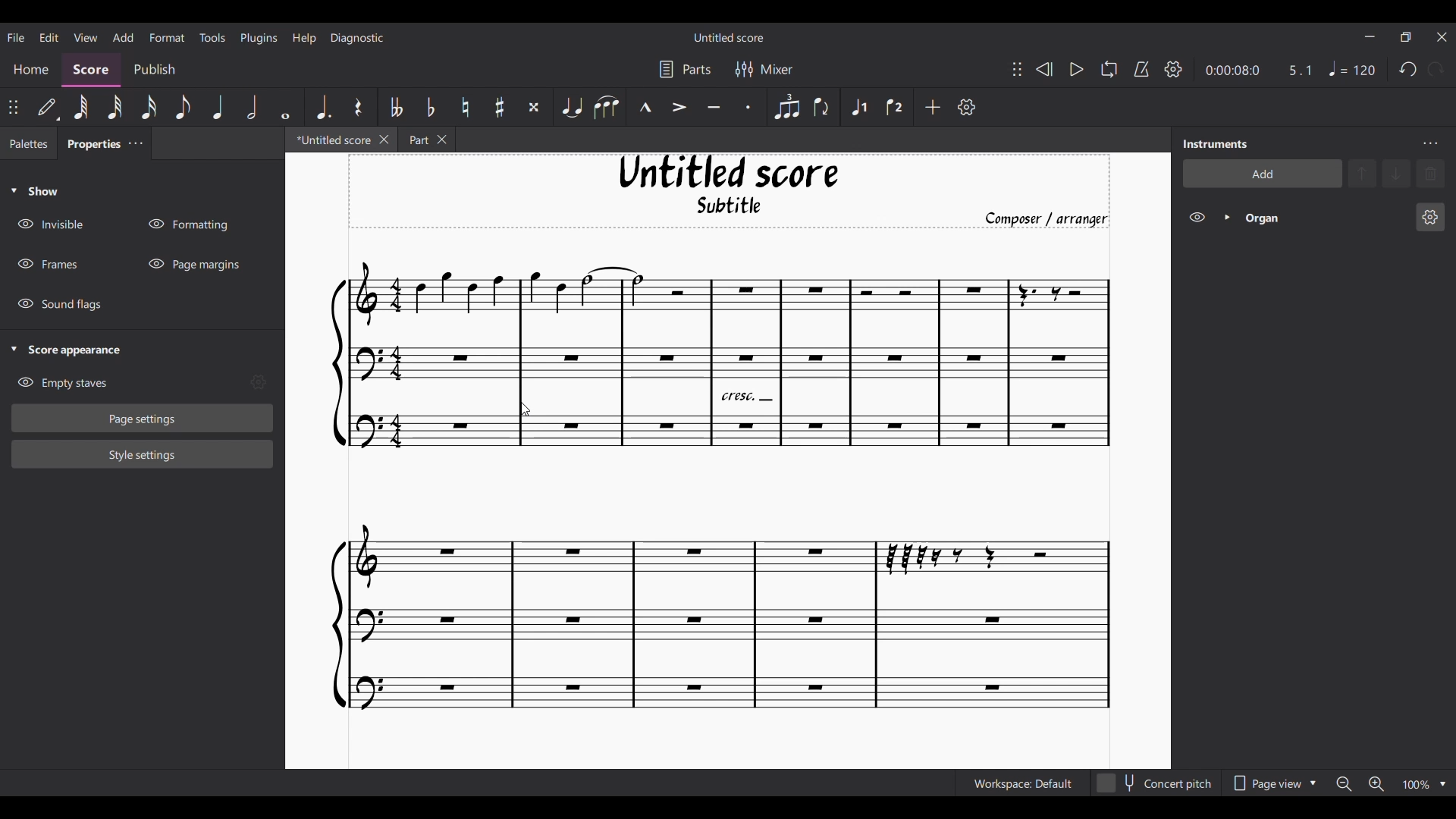  I want to click on Toggle flat, so click(430, 107).